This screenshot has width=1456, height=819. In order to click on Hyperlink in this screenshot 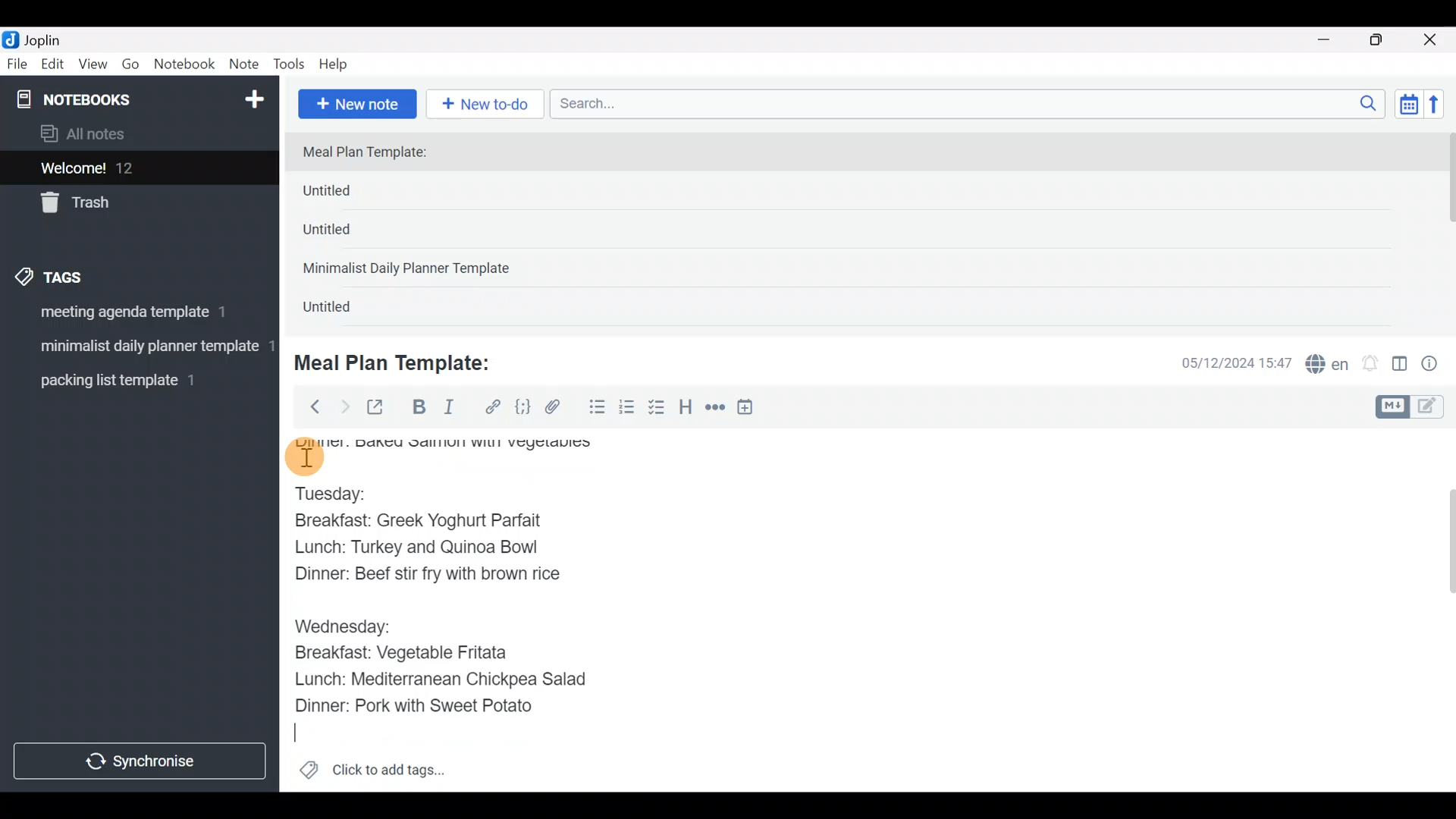, I will do `click(493, 407)`.